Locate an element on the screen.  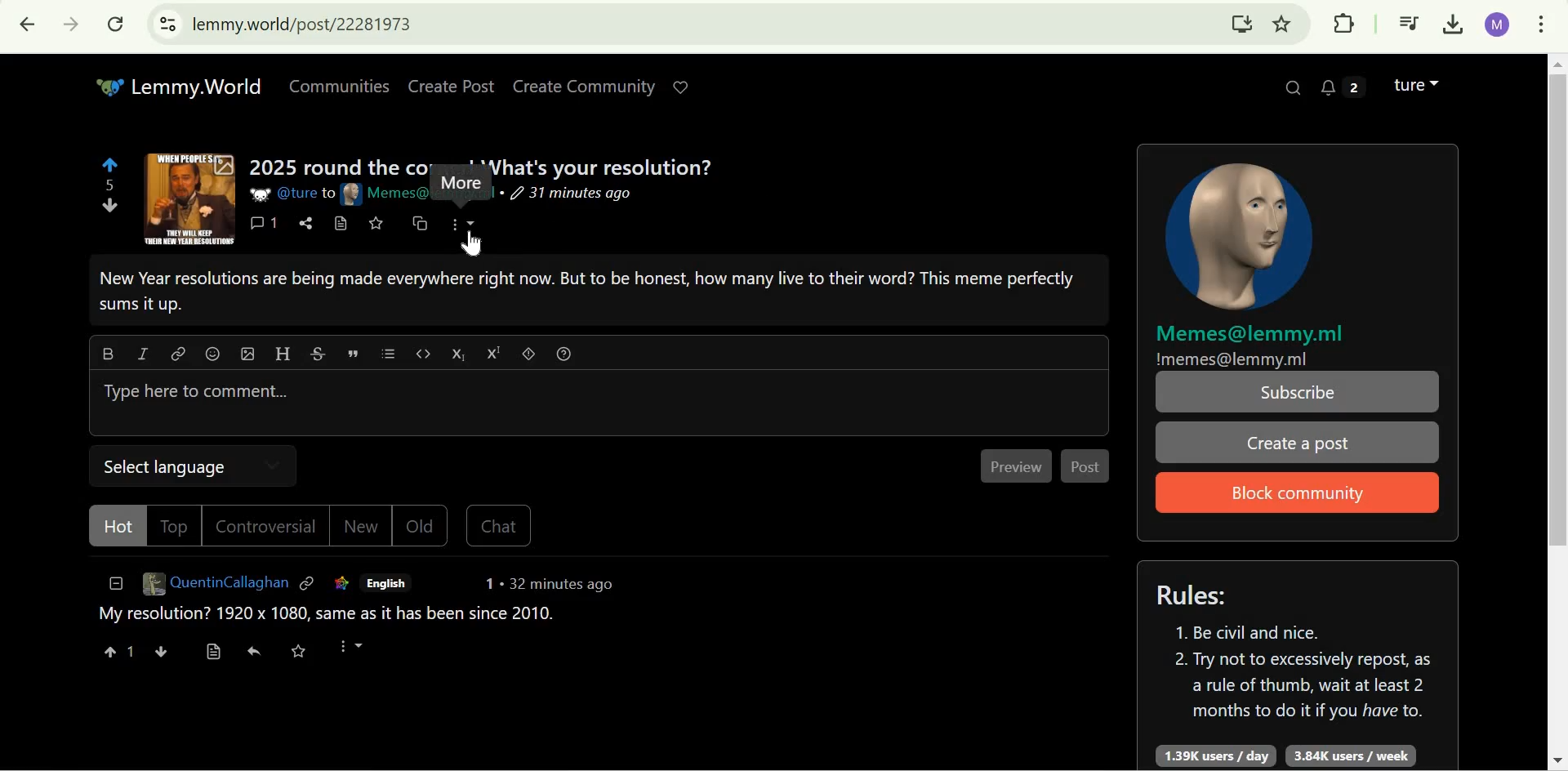
Extensions is located at coordinates (1343, 23).